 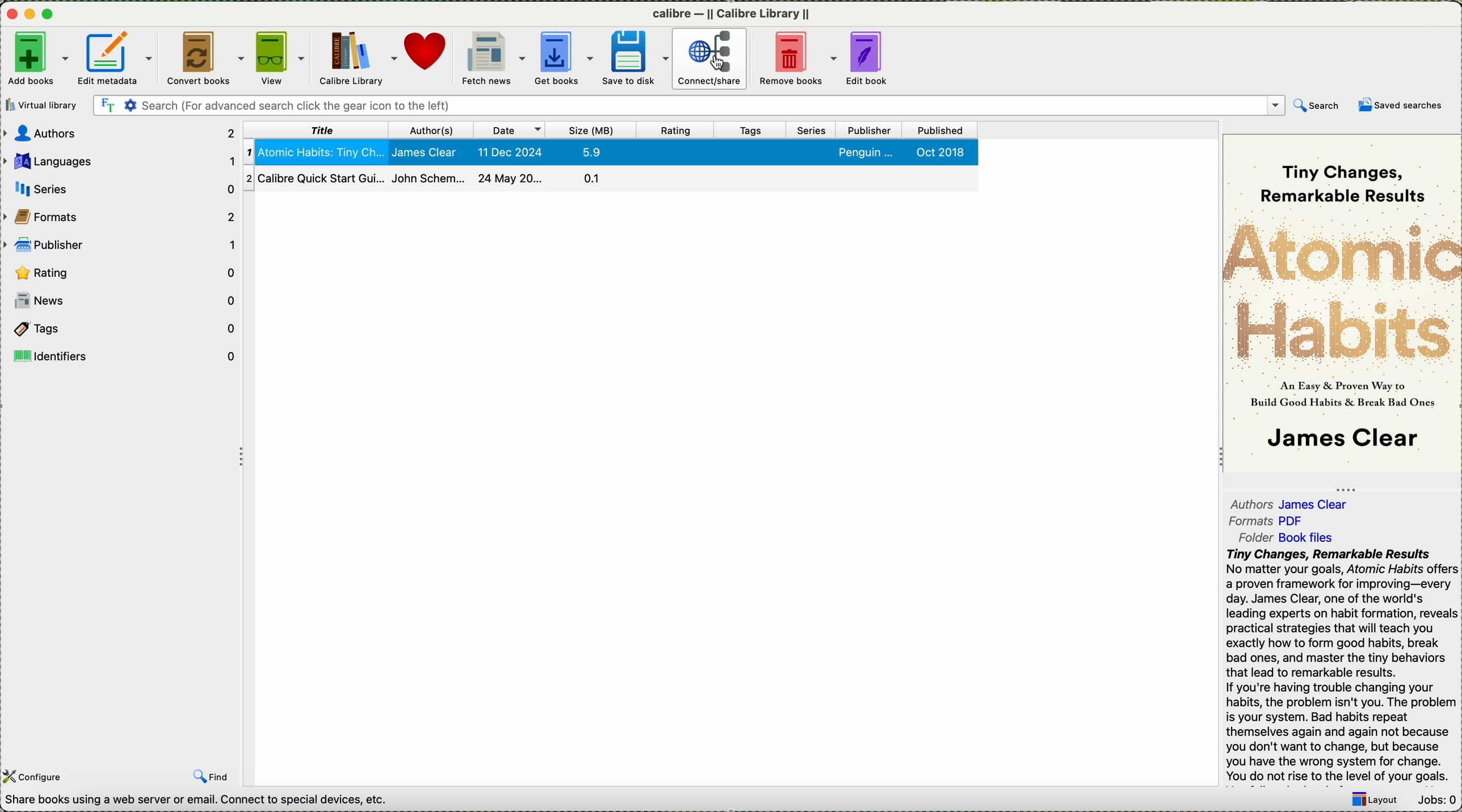 What do you see at coordinates (428, 54) in the screenshot?
I see `donate` at bounding box center [428, 54].